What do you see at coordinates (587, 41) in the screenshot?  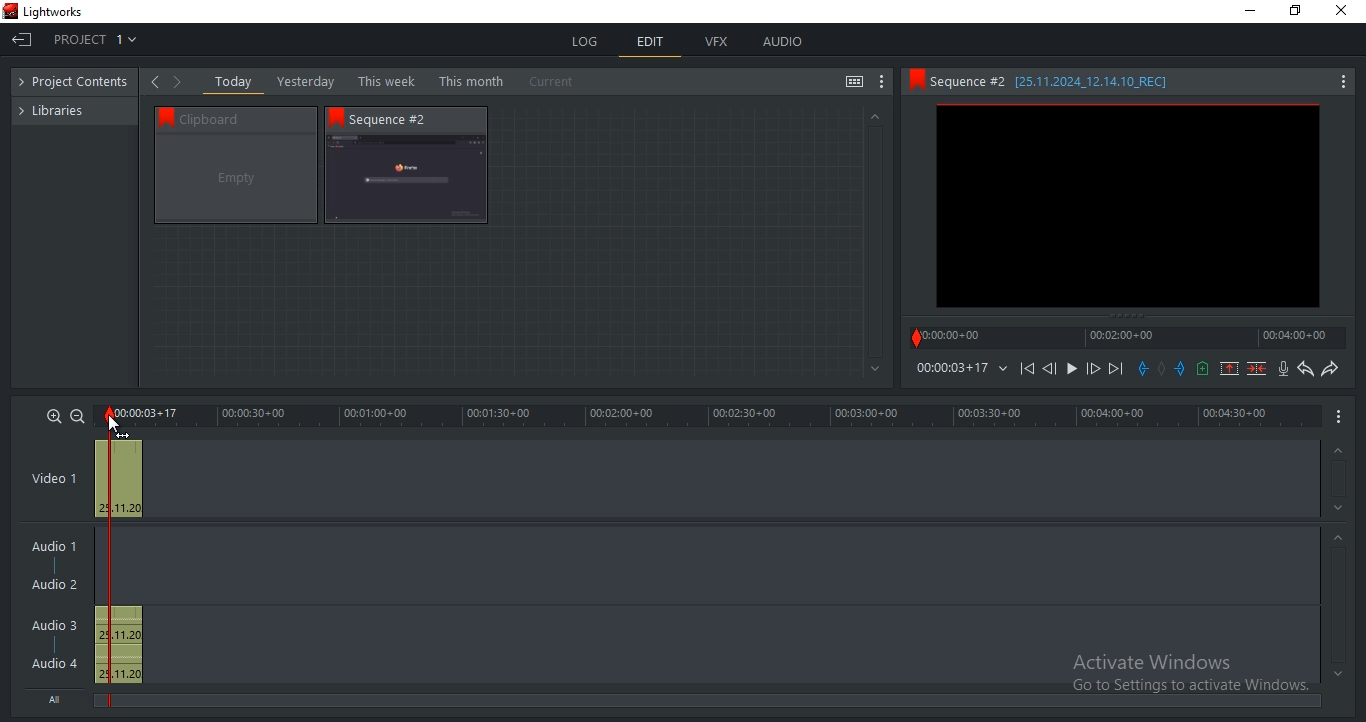 I see `log` at bounding box center [587, 41].